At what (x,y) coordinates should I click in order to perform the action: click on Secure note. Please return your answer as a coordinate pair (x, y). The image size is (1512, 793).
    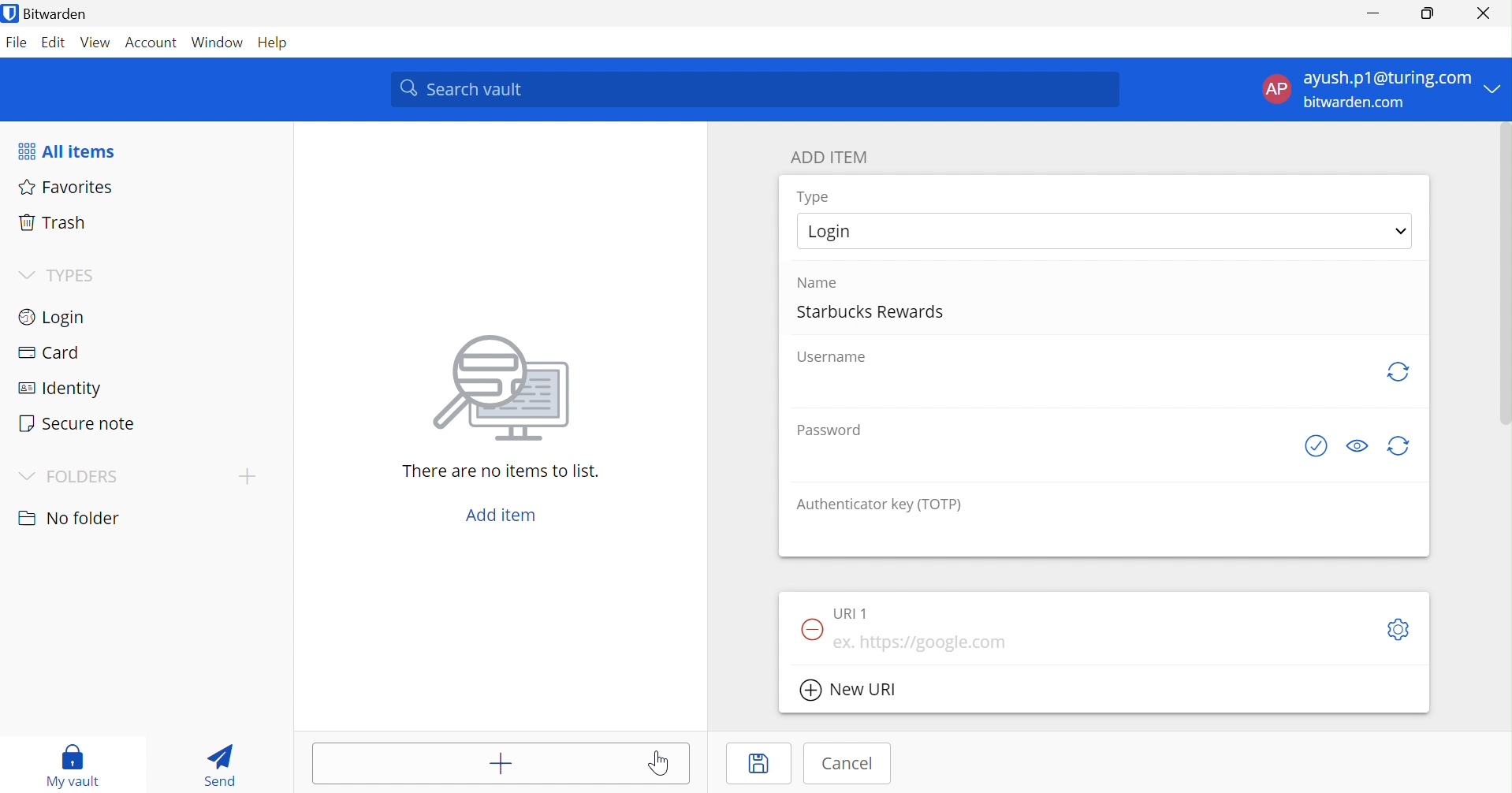
    Looking at the image, I should click on (77, 423).